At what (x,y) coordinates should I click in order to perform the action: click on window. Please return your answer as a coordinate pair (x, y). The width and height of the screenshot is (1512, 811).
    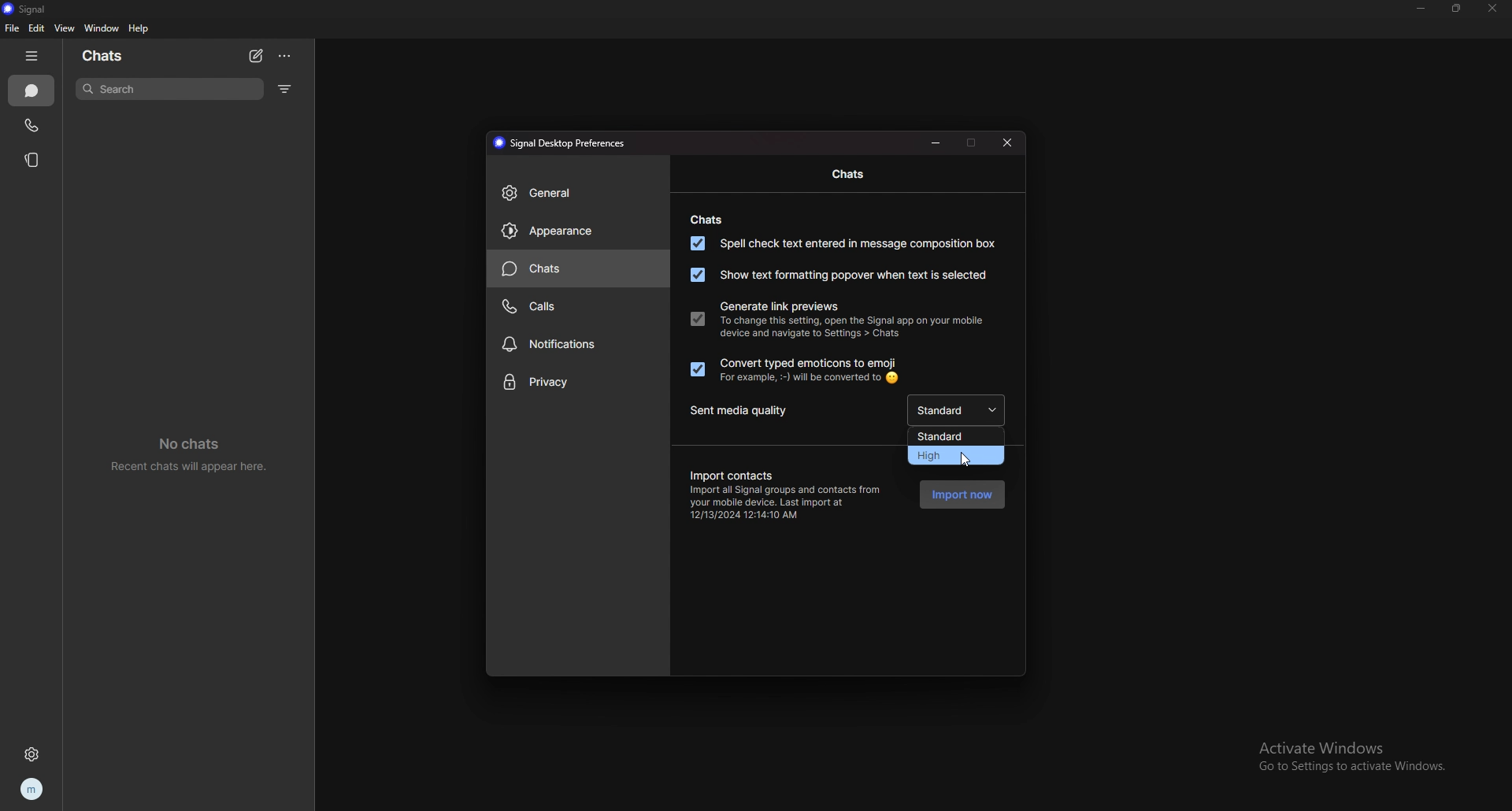
    Looking at the image, I should click on (102, 28).